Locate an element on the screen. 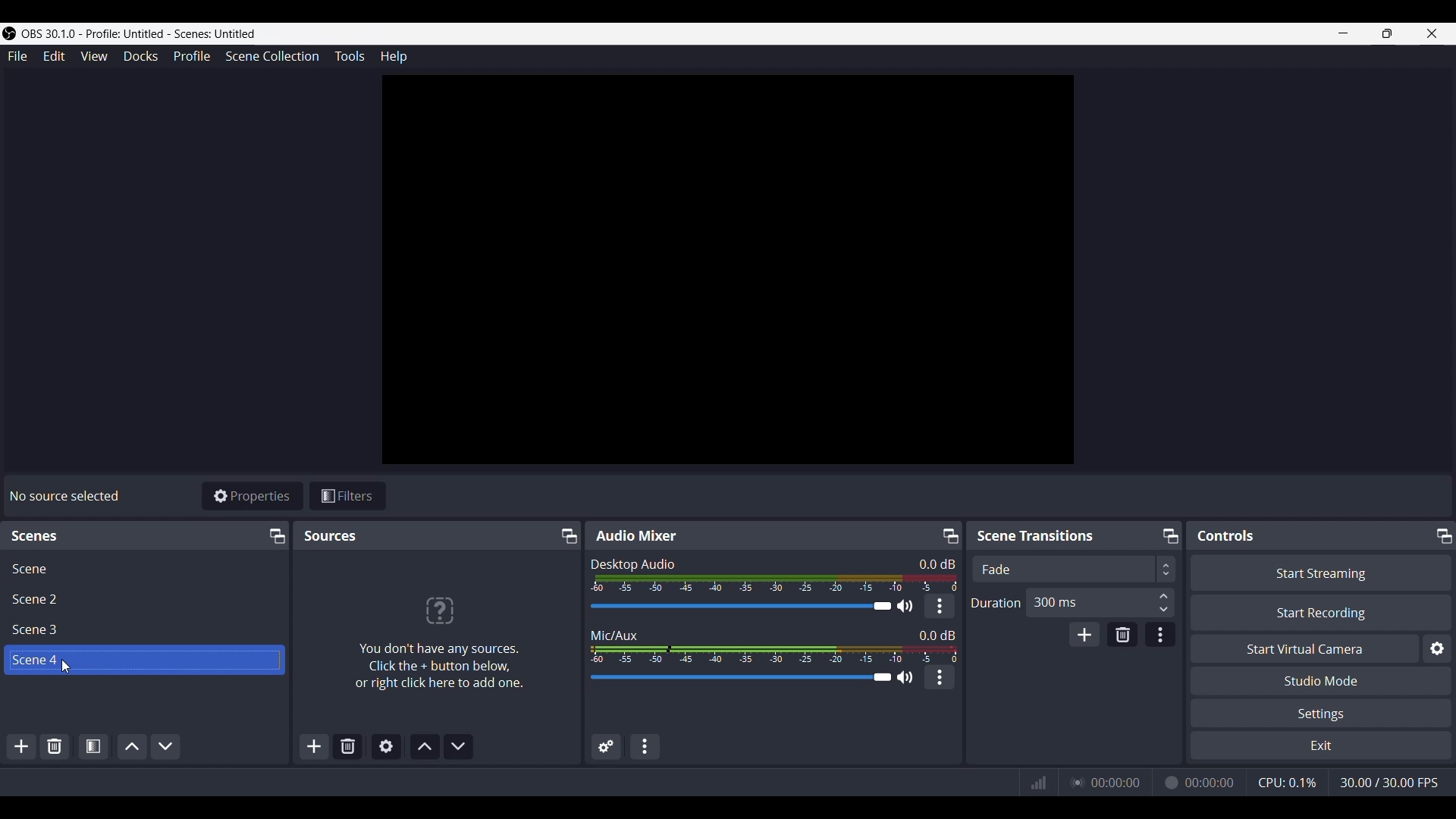 The width and height of the screenshot is (1456, 819). Audio Mixer is located at coordinates (635, 535).